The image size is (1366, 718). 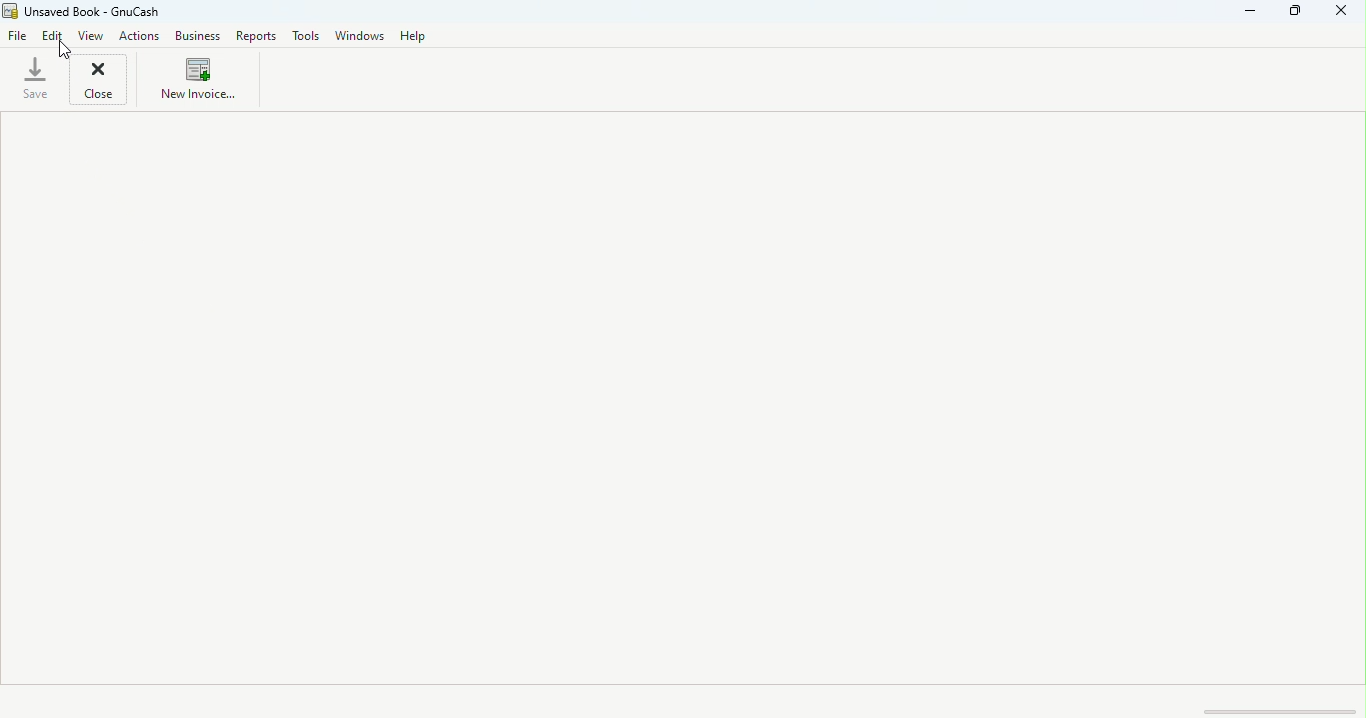 What do you see at coordinates (1245, 16) in the screenshot?
I see `Minimize` at bounding box center [1245, 16].